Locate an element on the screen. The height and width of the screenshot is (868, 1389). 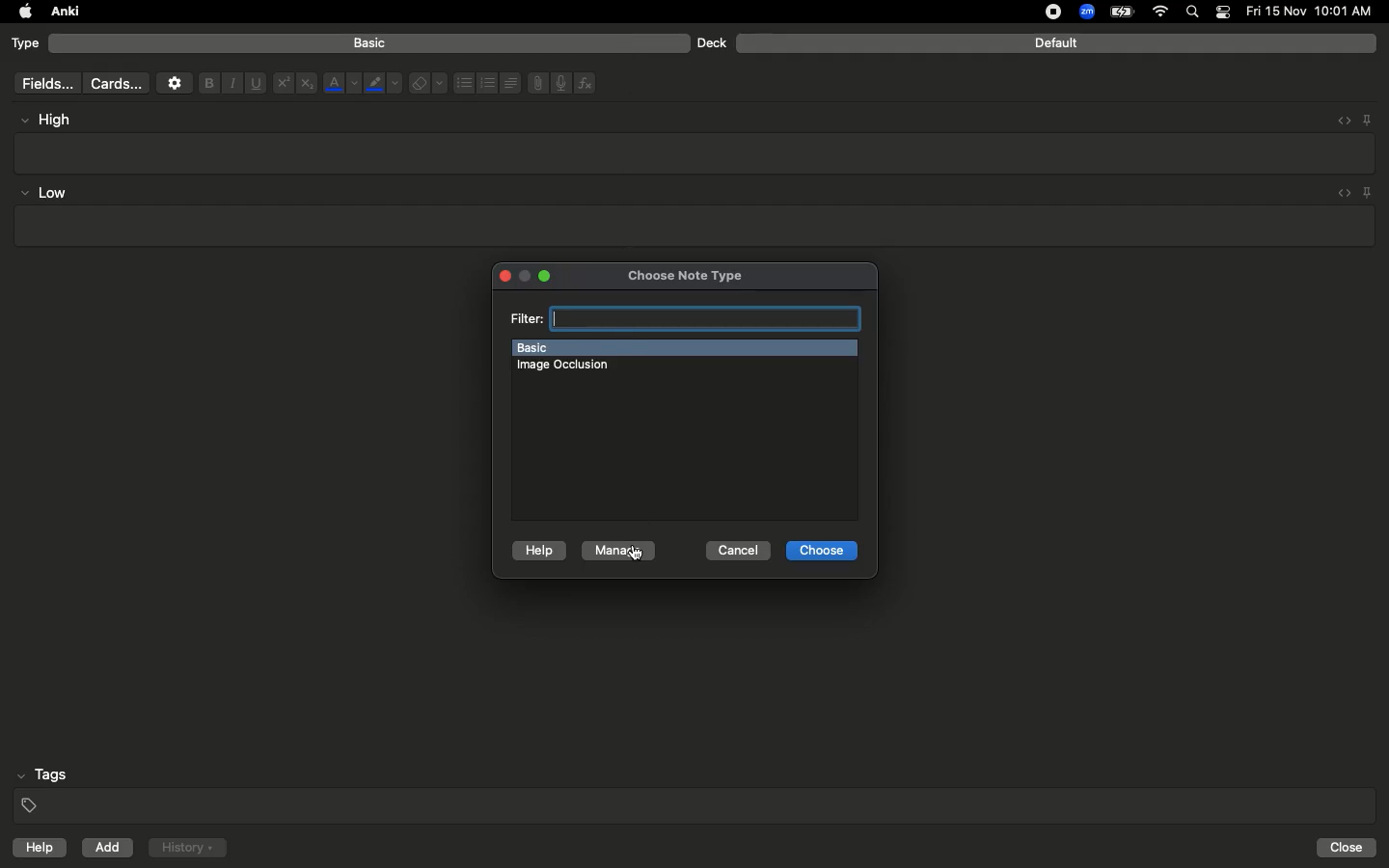
cursor is located at coordinates (642, 558).